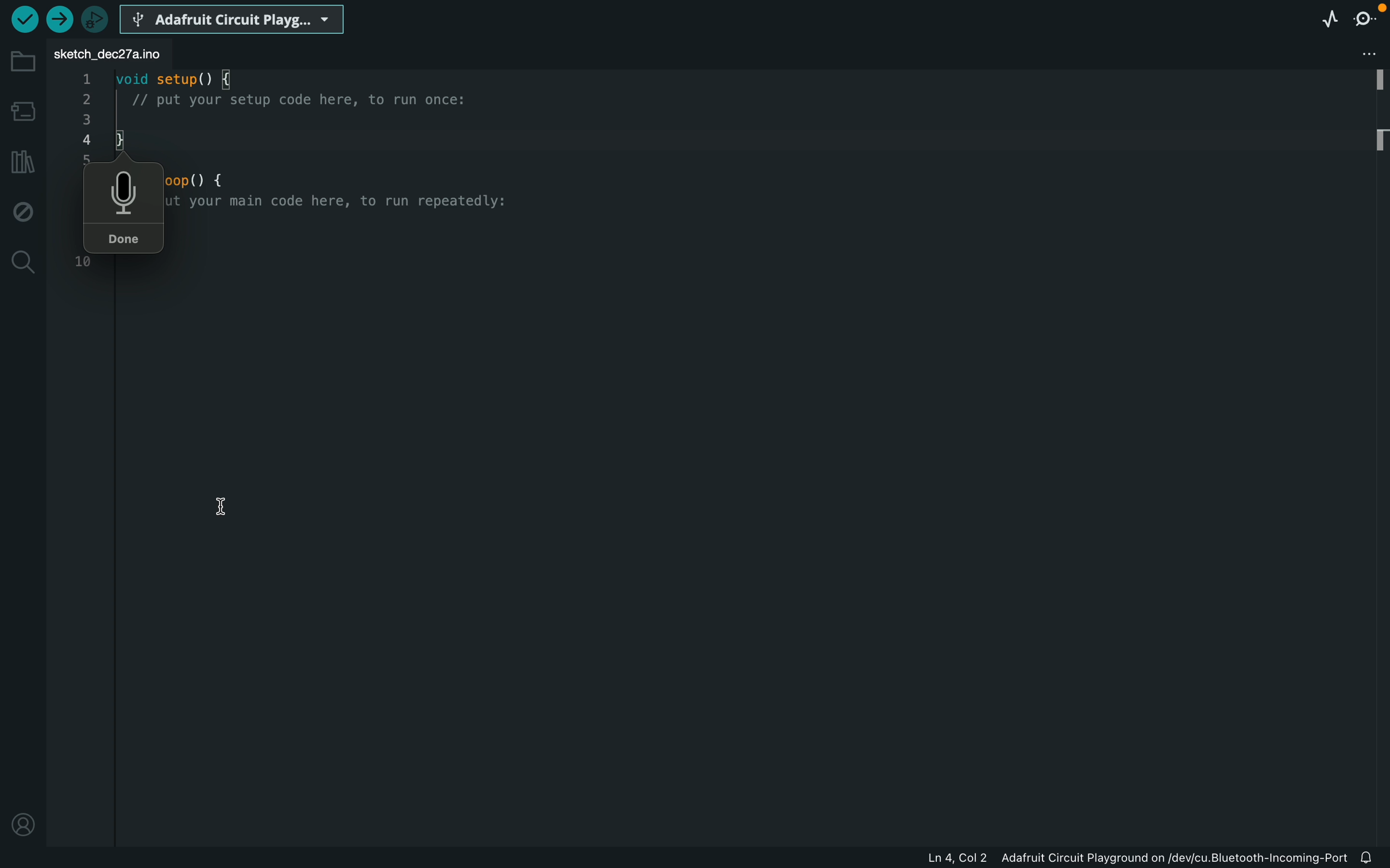  Describe the element at coordinates (124, 191) in the screenshot. I see `mic` at that location.